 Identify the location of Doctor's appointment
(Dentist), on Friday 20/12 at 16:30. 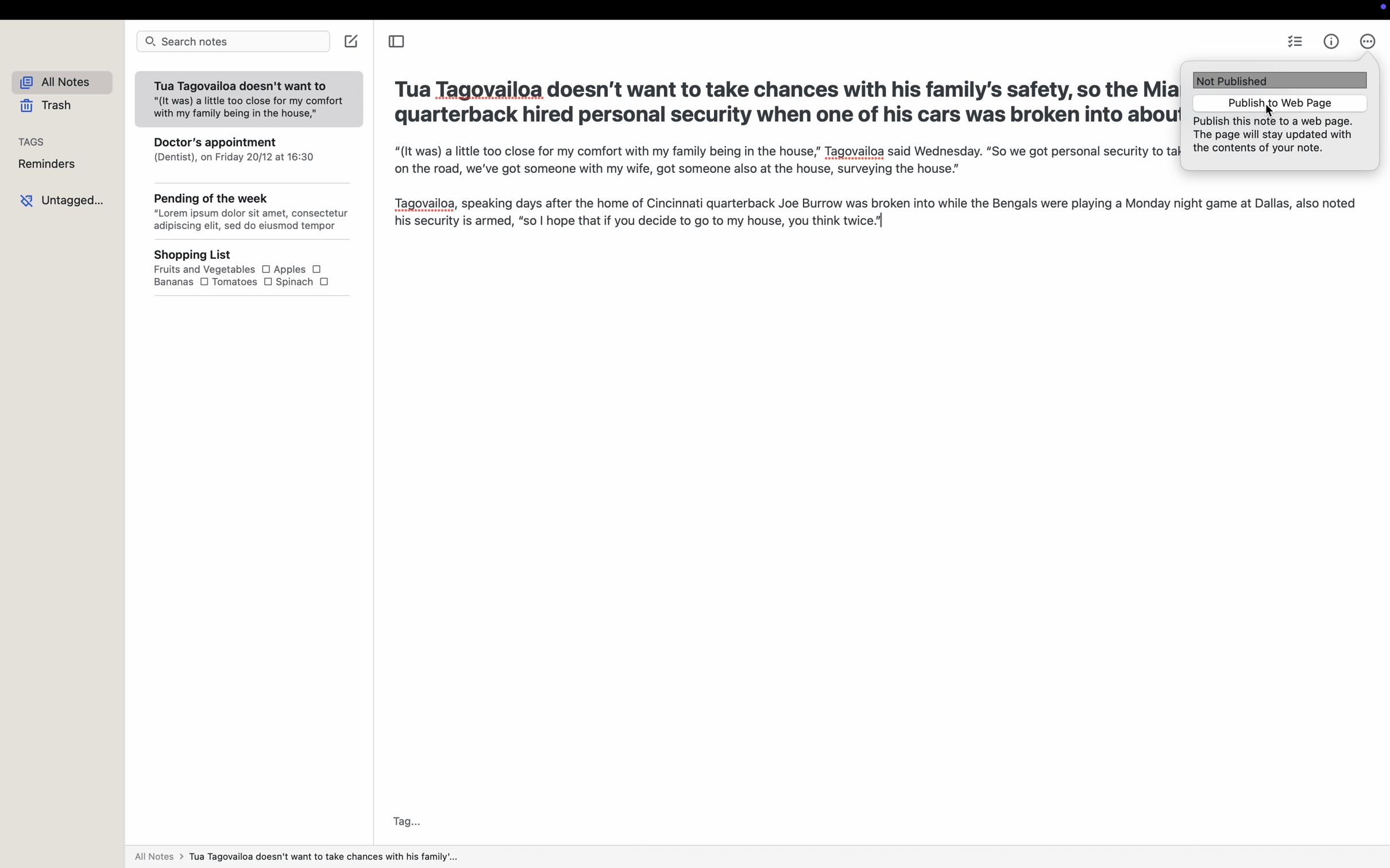
(251, 156).